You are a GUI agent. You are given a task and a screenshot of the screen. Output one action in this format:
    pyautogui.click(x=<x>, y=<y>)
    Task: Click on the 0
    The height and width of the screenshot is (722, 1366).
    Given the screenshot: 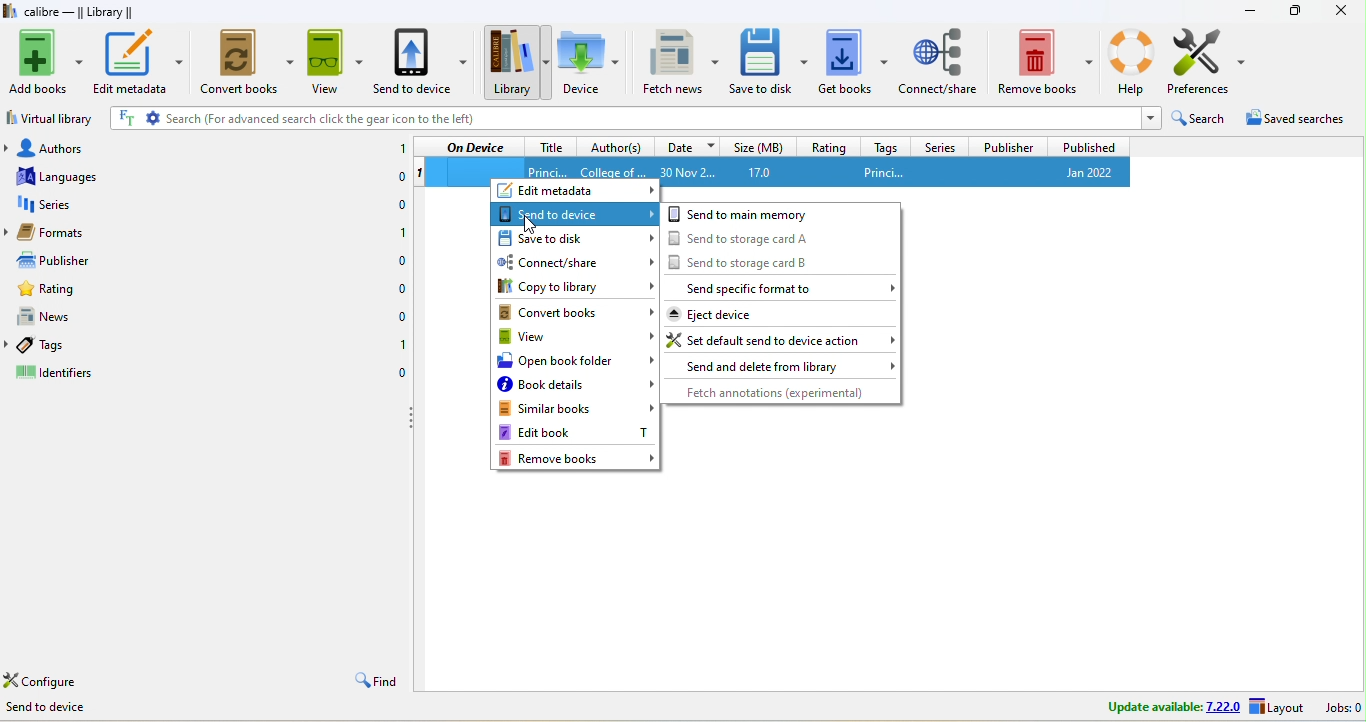 What is the action you would take?
    pyautogui.click(x=399, y=317)
    